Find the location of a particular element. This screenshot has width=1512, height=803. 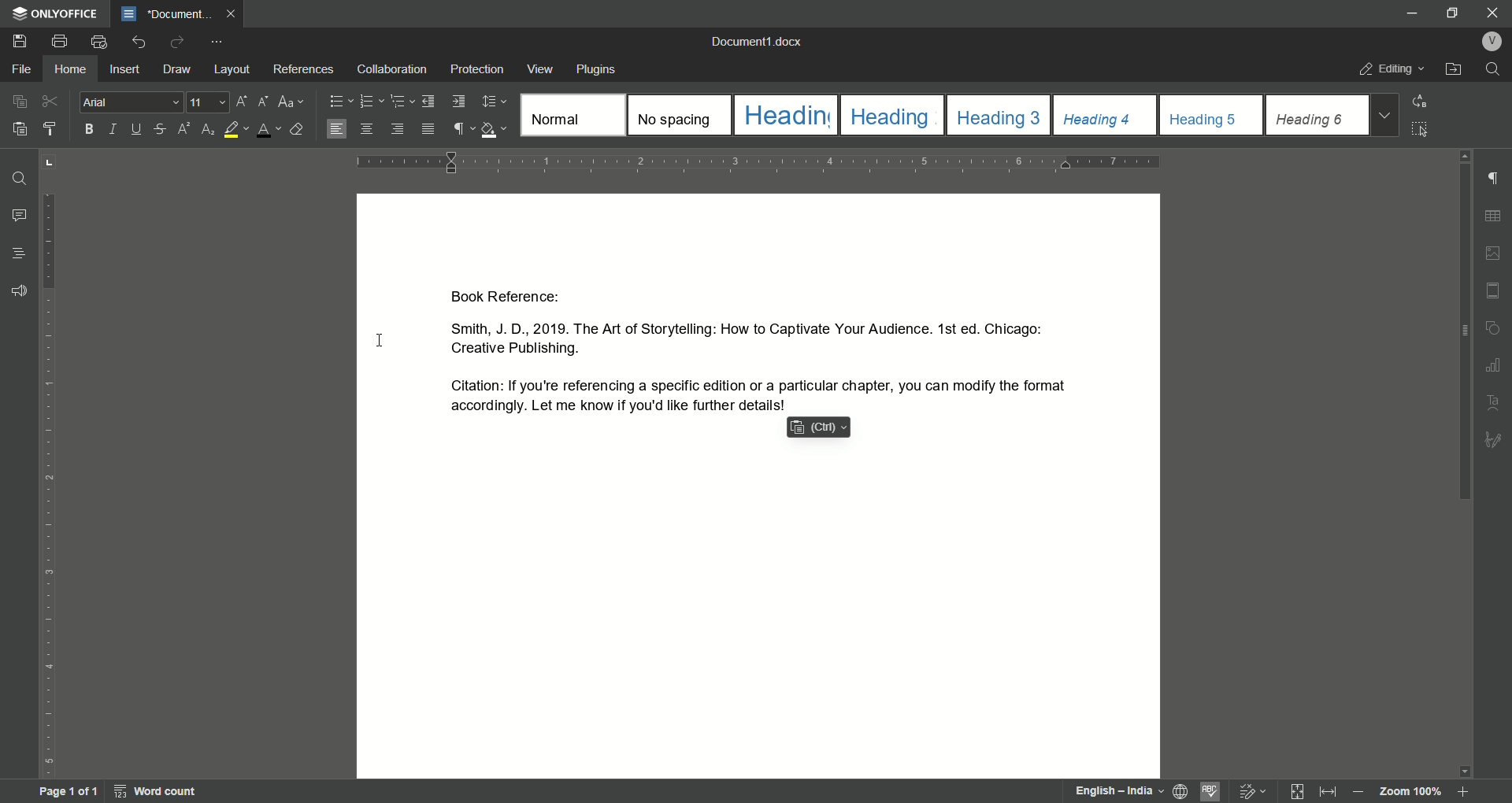

chart is located at coordinates (1496, 362).